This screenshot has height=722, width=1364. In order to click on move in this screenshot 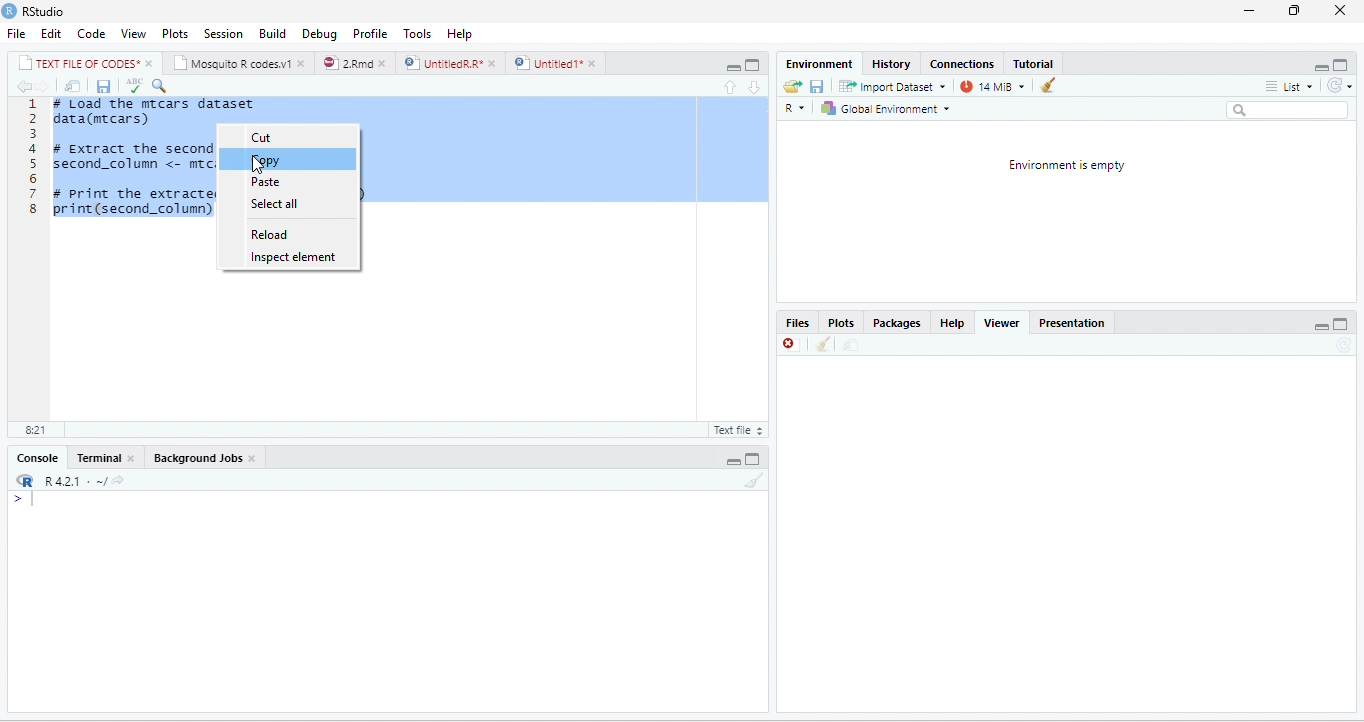, I will do `click(848, 346)`.